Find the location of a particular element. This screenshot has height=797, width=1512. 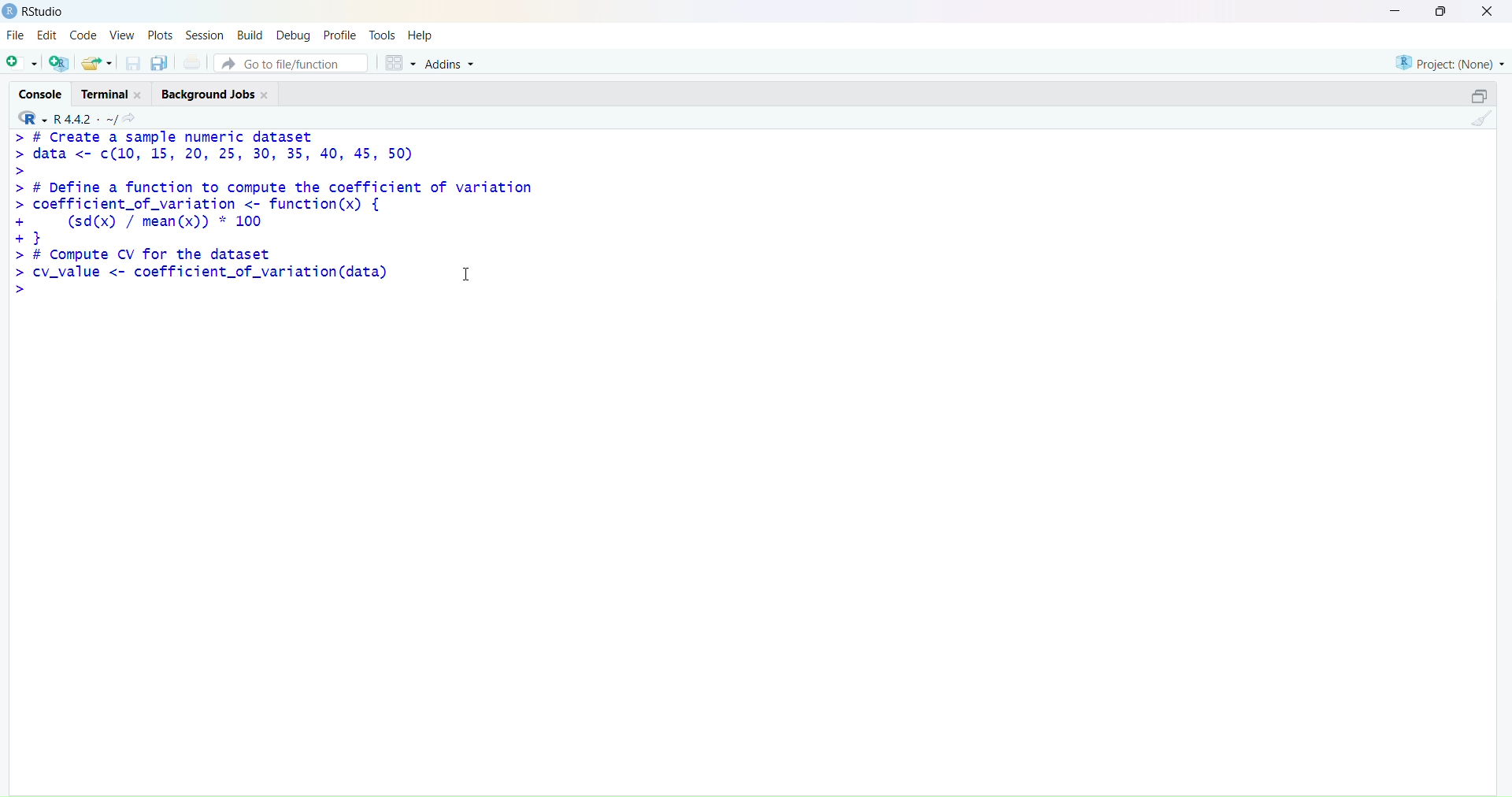

go to file/function is located at coordinates (291, 64).